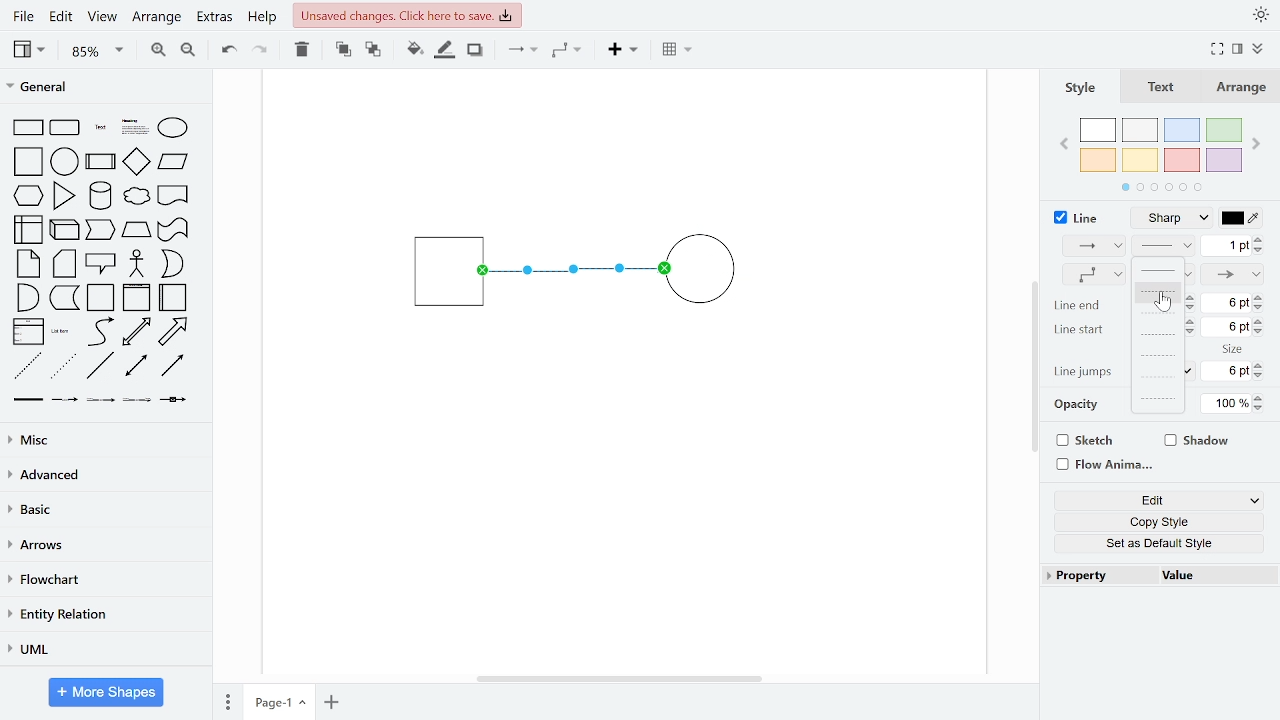 The width and height of the screenshot is (1280, 720). What do you see at coordinates (1234, 348) in the screenshot?
I see `size` at bounding box center [1234, 348].